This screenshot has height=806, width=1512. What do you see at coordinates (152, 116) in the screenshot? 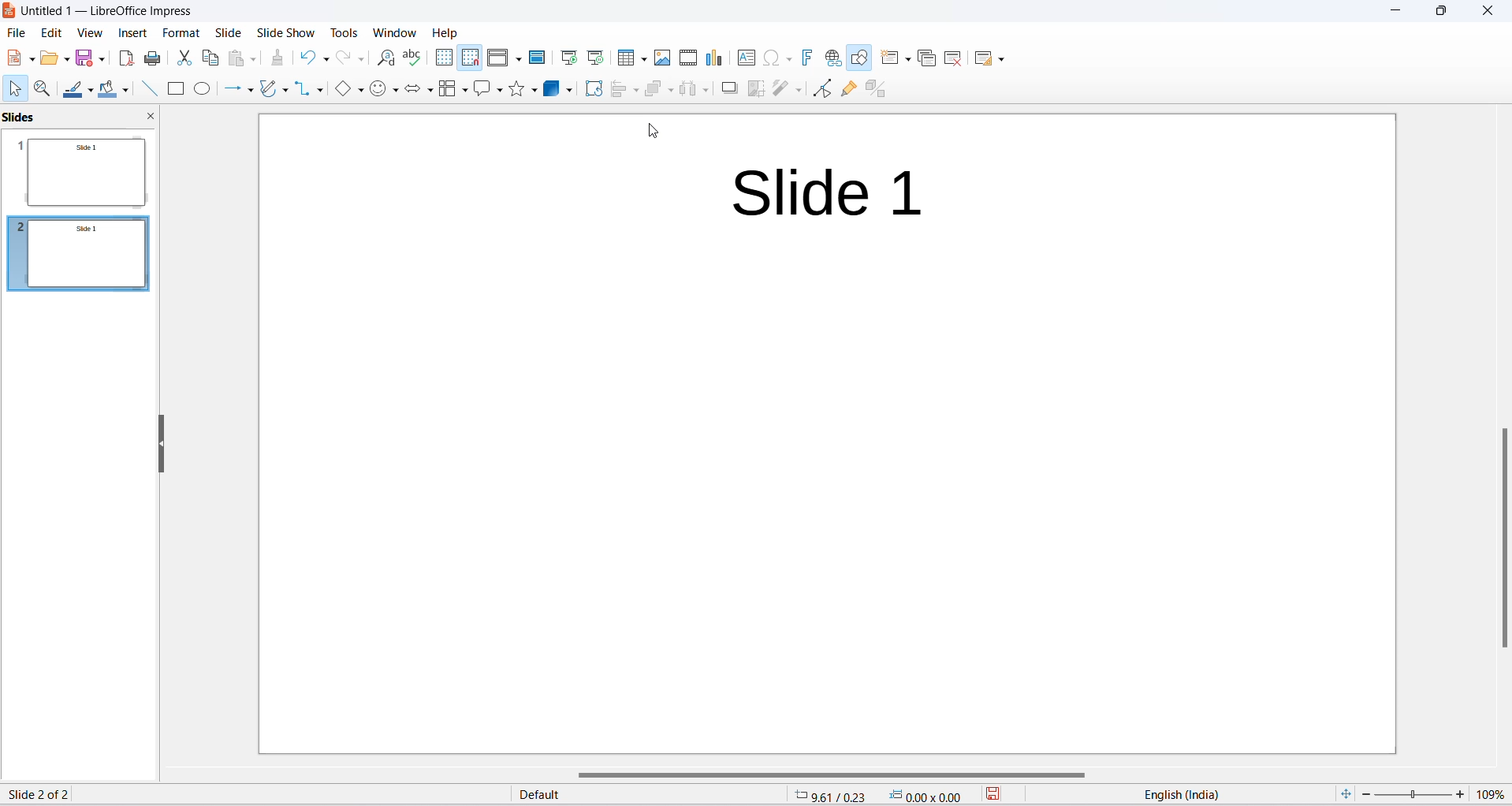
I see `close slide pane` at bounding box center [152, 116].